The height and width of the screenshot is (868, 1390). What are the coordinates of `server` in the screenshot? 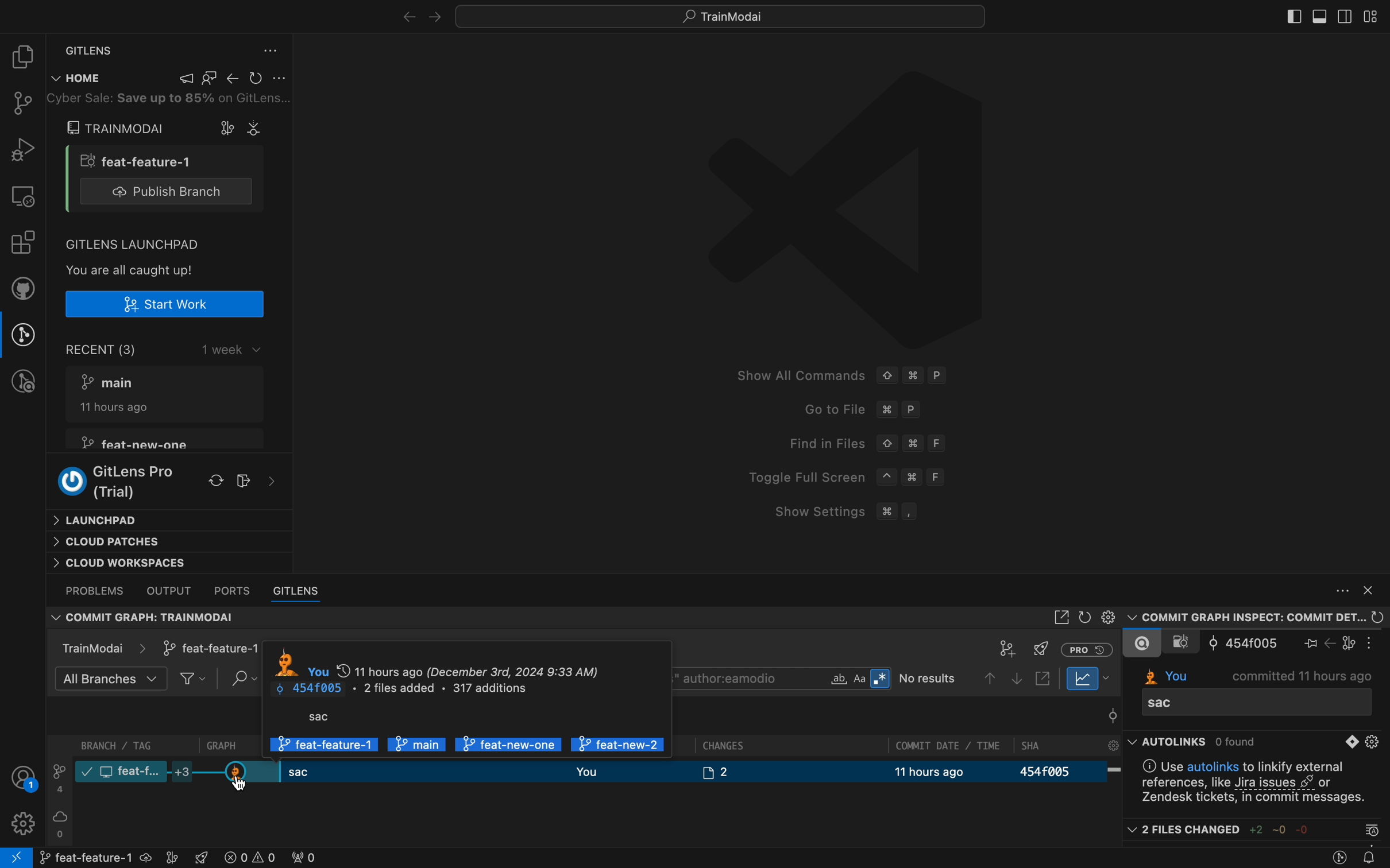 It's located at (1042, 648).